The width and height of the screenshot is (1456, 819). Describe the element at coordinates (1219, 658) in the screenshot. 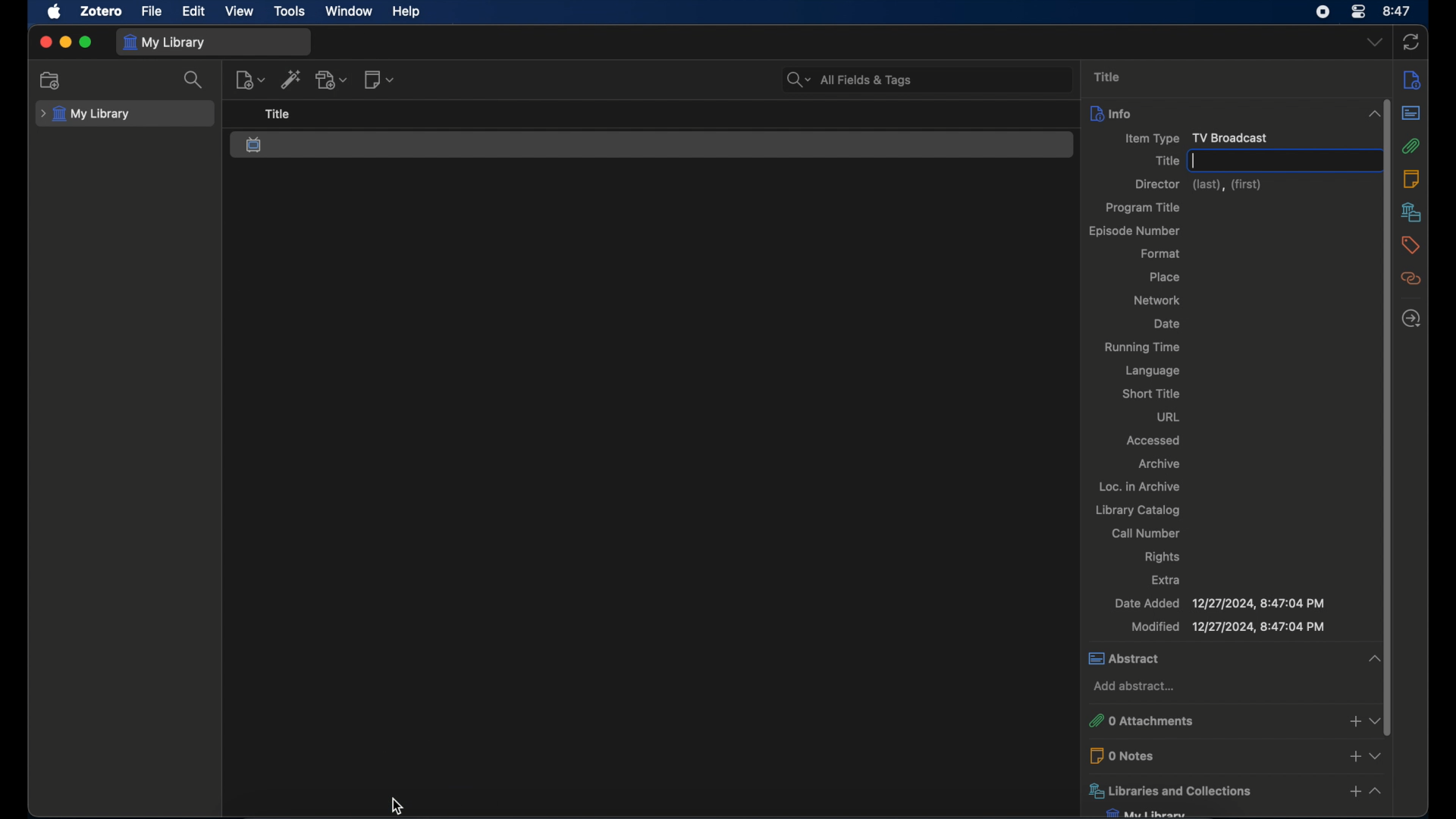

I see `abstract` at that location.